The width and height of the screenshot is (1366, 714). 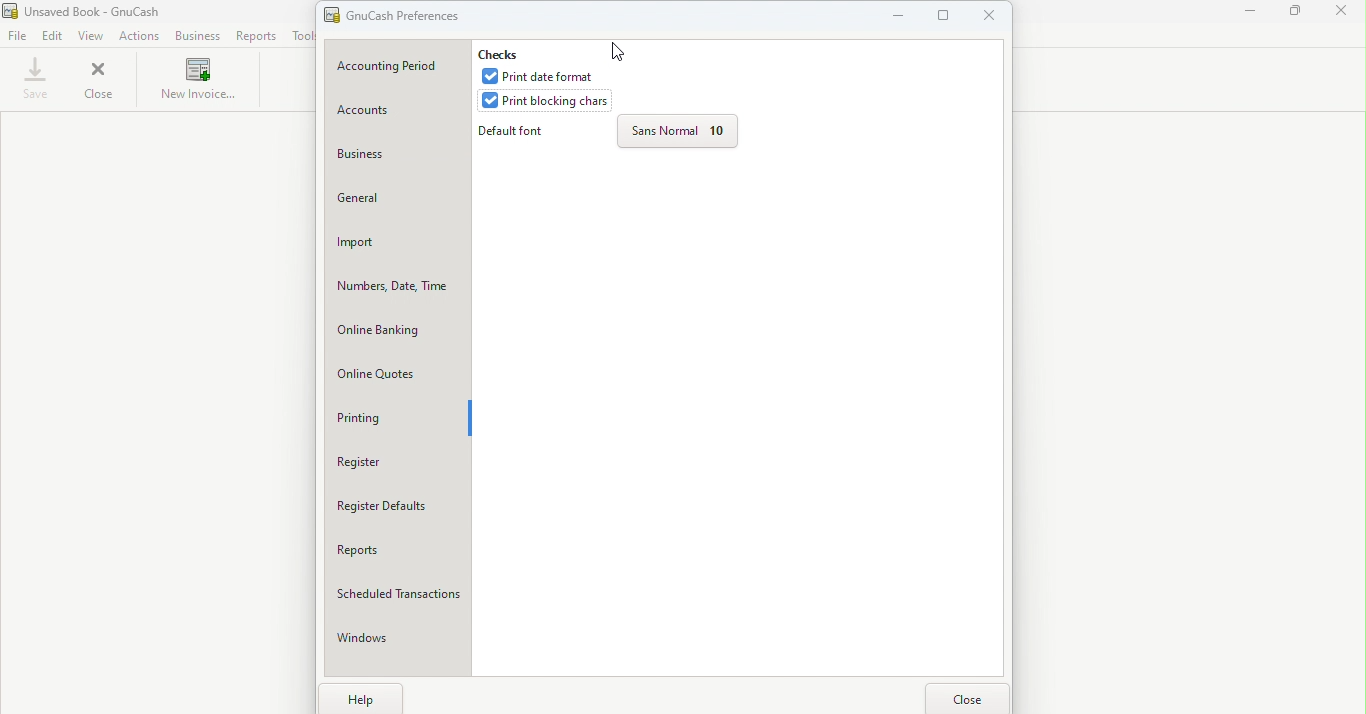 I want to click on Sans normal 10, so click(x=676, y=133).